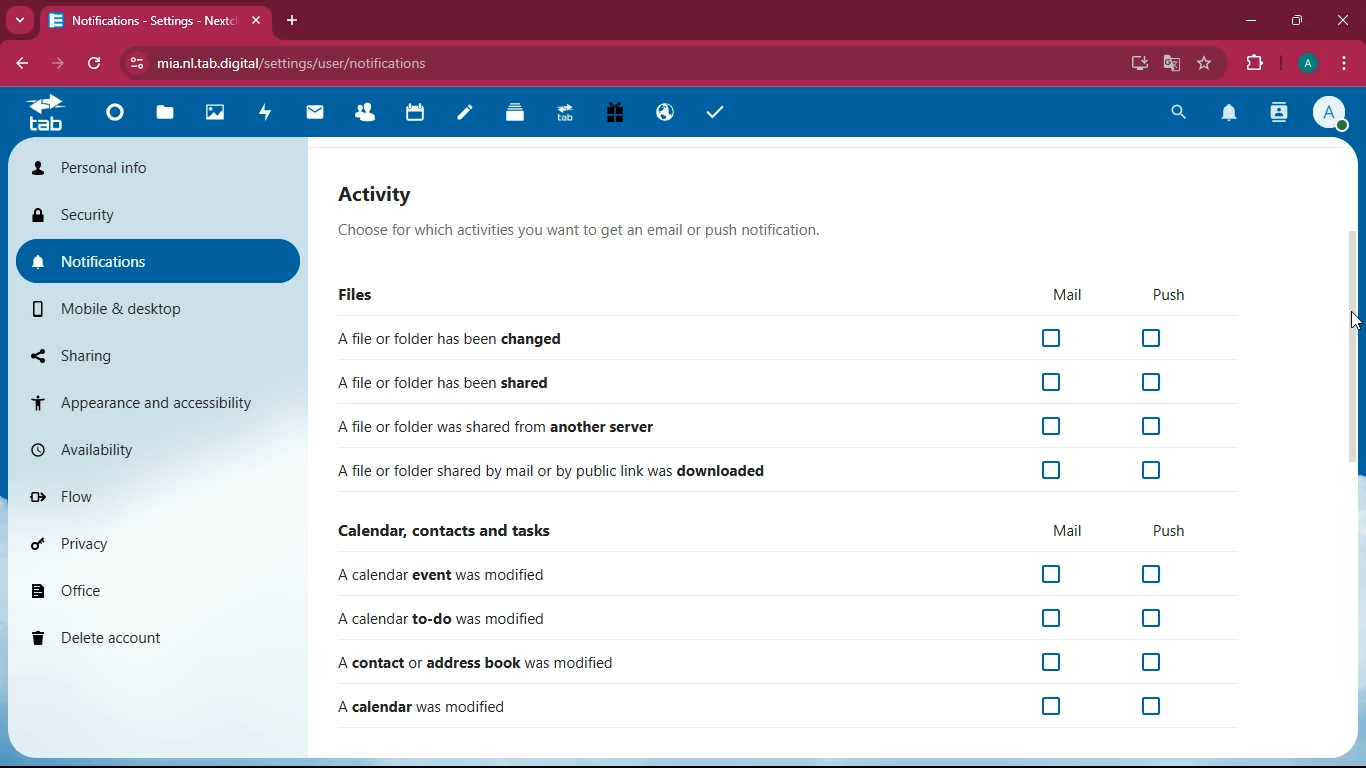 The height and width of the screenshot is (768, 1366). Describe the element at coordinates (157, 262) in the screenshot. I see `notifications` at that location.